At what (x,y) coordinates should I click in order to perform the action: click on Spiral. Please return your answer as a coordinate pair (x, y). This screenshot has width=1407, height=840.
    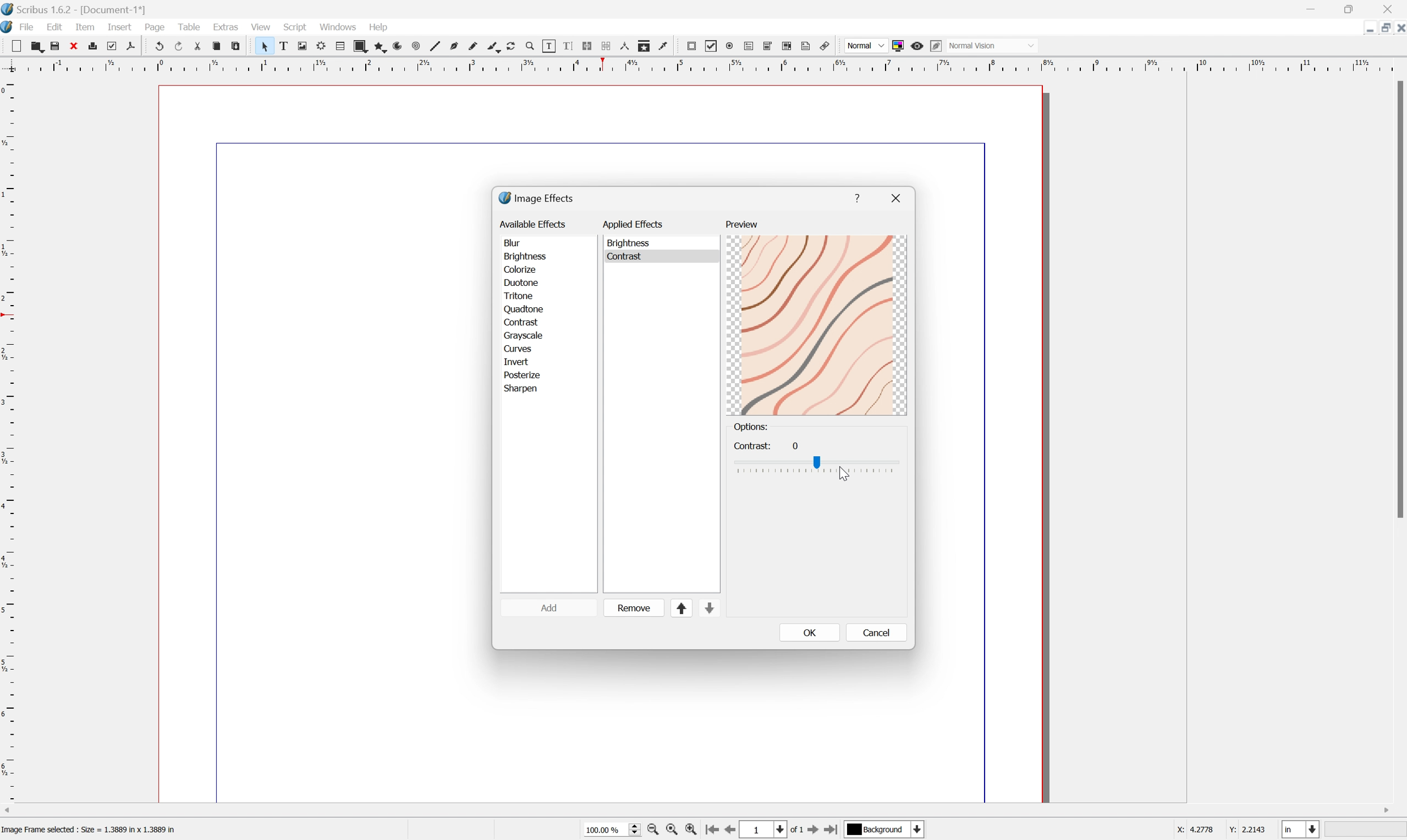
    Looking at the image, I should click on (419, 45).